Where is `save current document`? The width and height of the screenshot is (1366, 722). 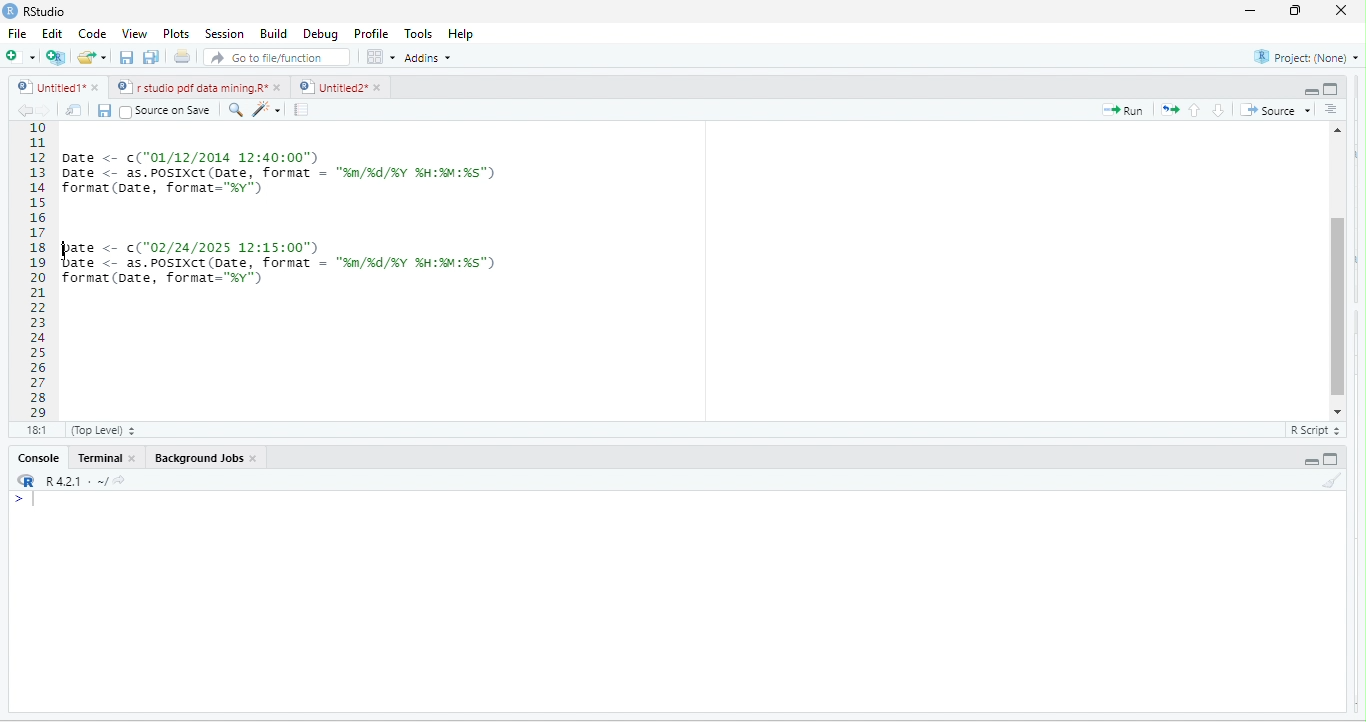
save current document is located at coordinates (108, 112).